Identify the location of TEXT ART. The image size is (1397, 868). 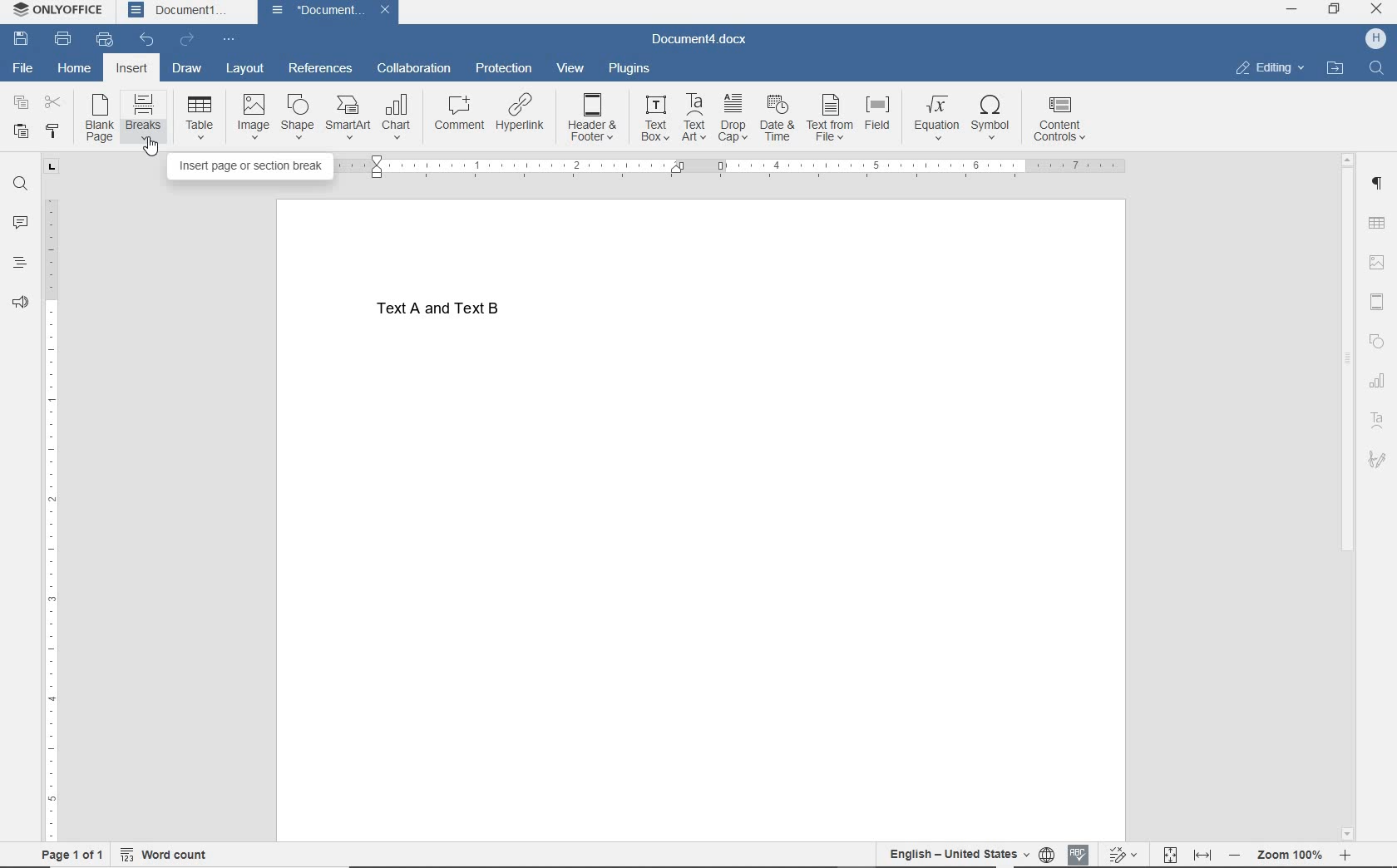
(694, 118).